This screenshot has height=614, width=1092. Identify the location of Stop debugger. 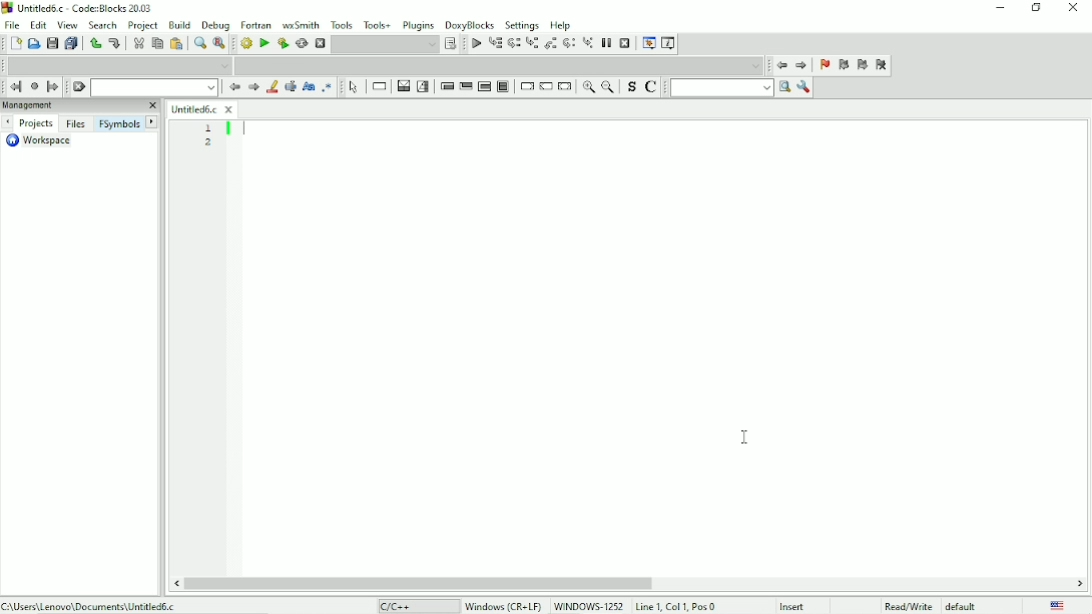
(624, 43).